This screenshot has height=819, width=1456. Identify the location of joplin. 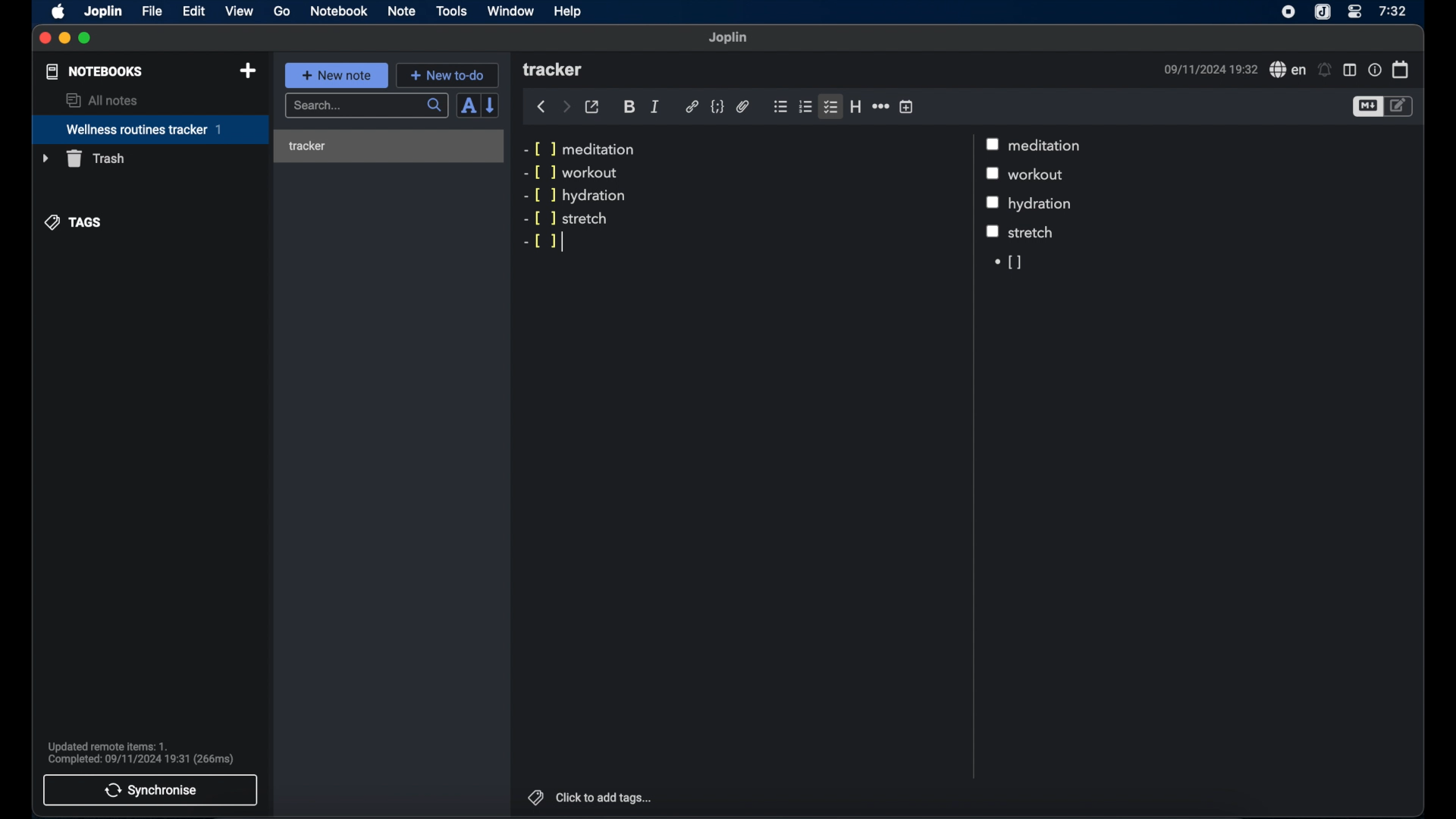
(104, 12).